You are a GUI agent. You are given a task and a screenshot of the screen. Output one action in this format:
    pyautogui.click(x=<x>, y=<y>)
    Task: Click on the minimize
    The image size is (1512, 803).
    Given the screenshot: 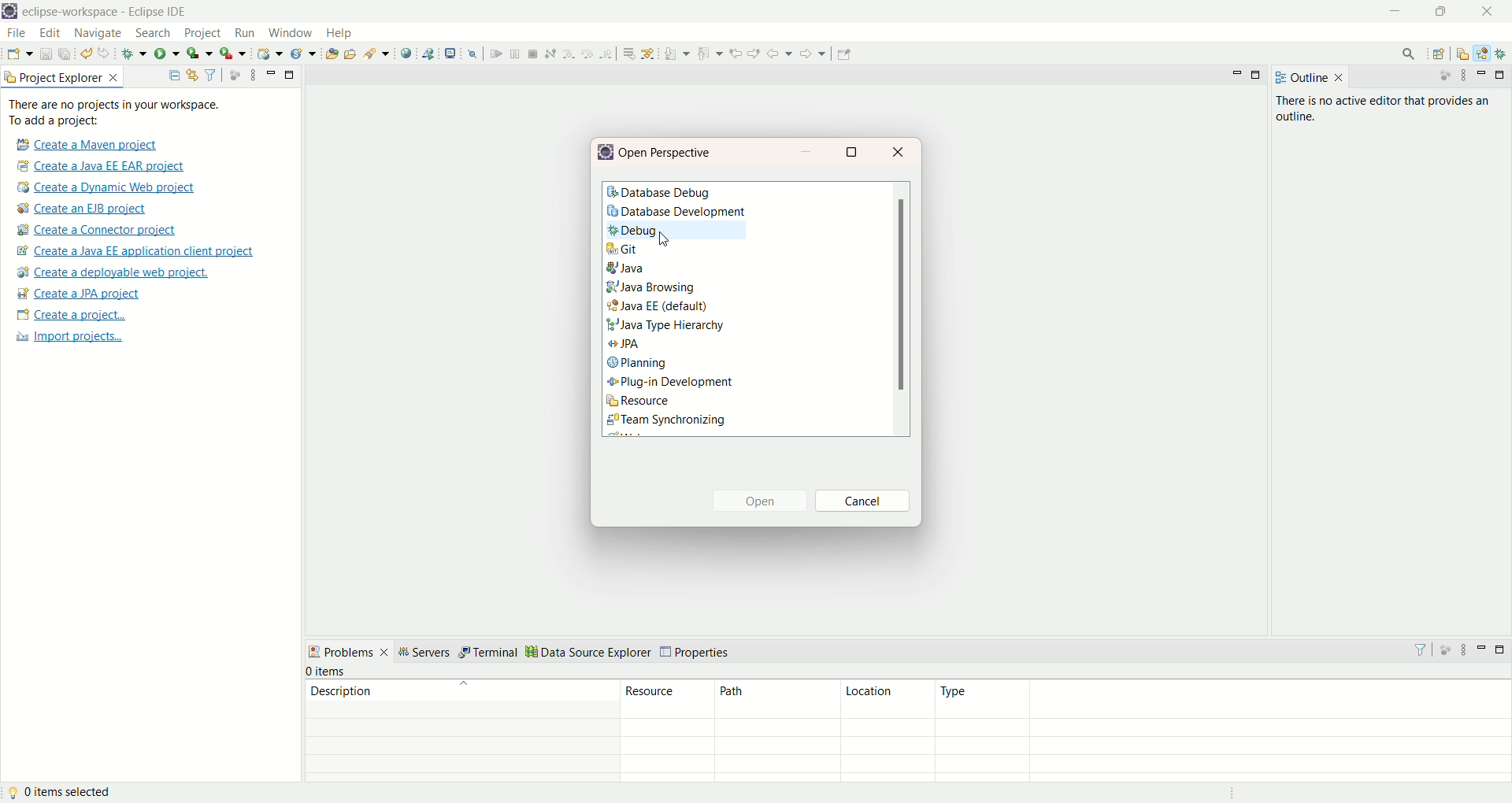 What is the action you would take?
    pyautogui.click(x=269, y=71)
    